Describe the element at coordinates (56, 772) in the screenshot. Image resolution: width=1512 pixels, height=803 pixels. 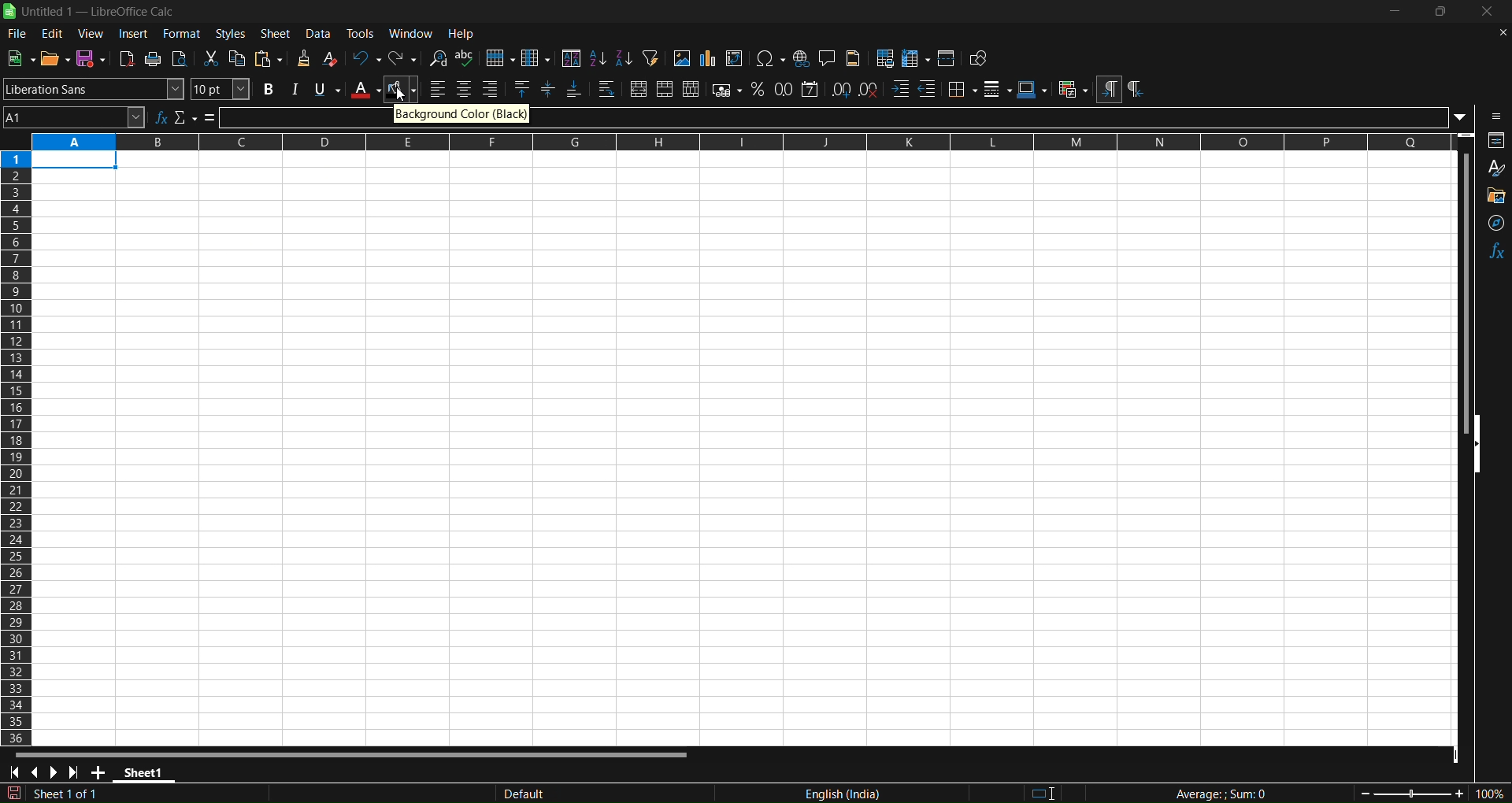
I see `scroll to next sheet` at that location.